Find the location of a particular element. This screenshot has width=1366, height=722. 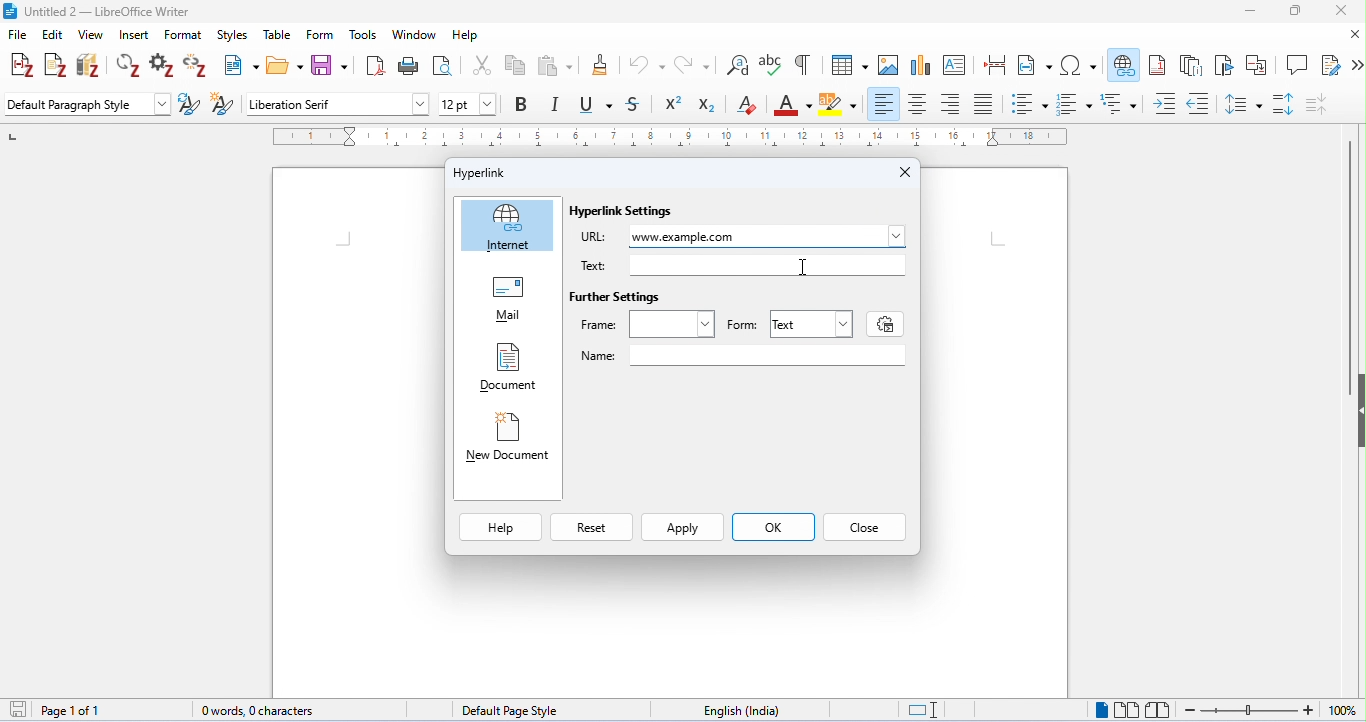

new style from selection is located at coordinates (221, 103).